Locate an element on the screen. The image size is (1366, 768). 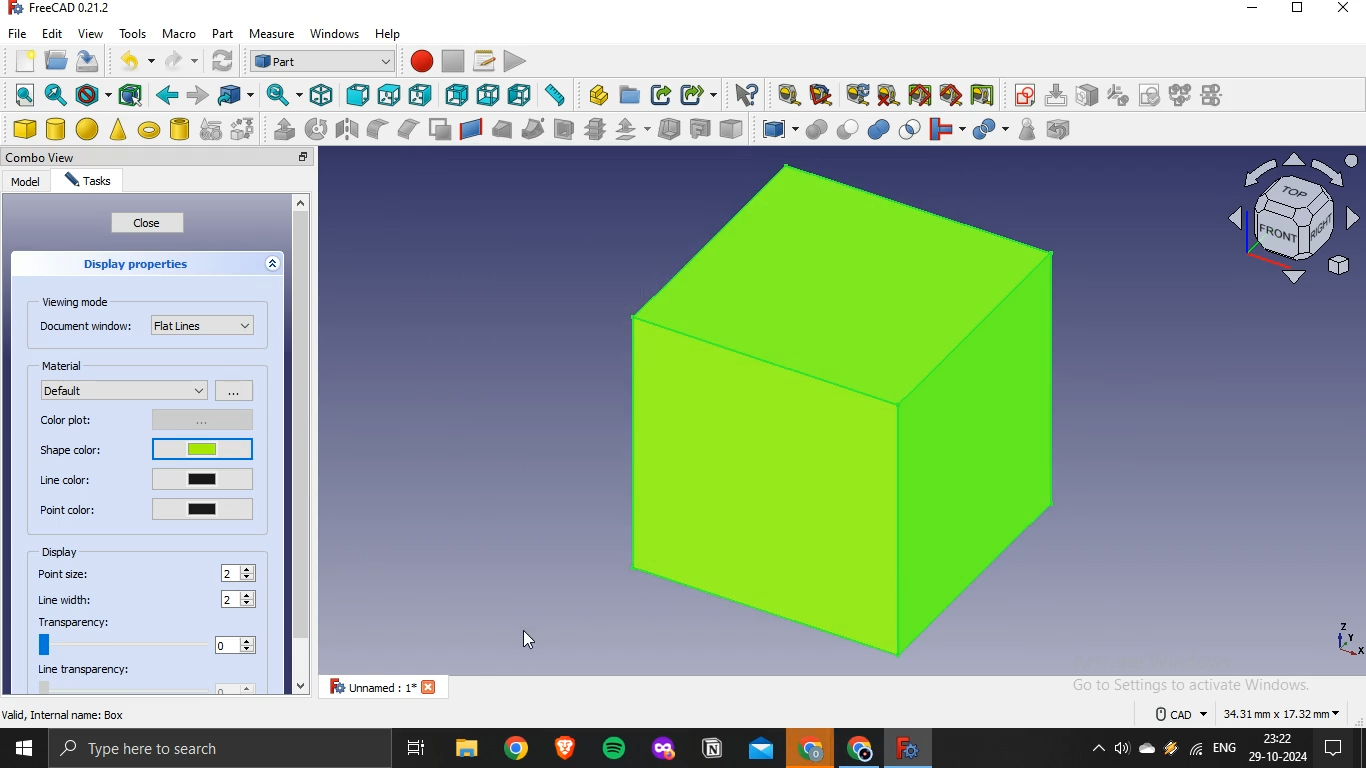
create folder is located at coordinates (631, 94).